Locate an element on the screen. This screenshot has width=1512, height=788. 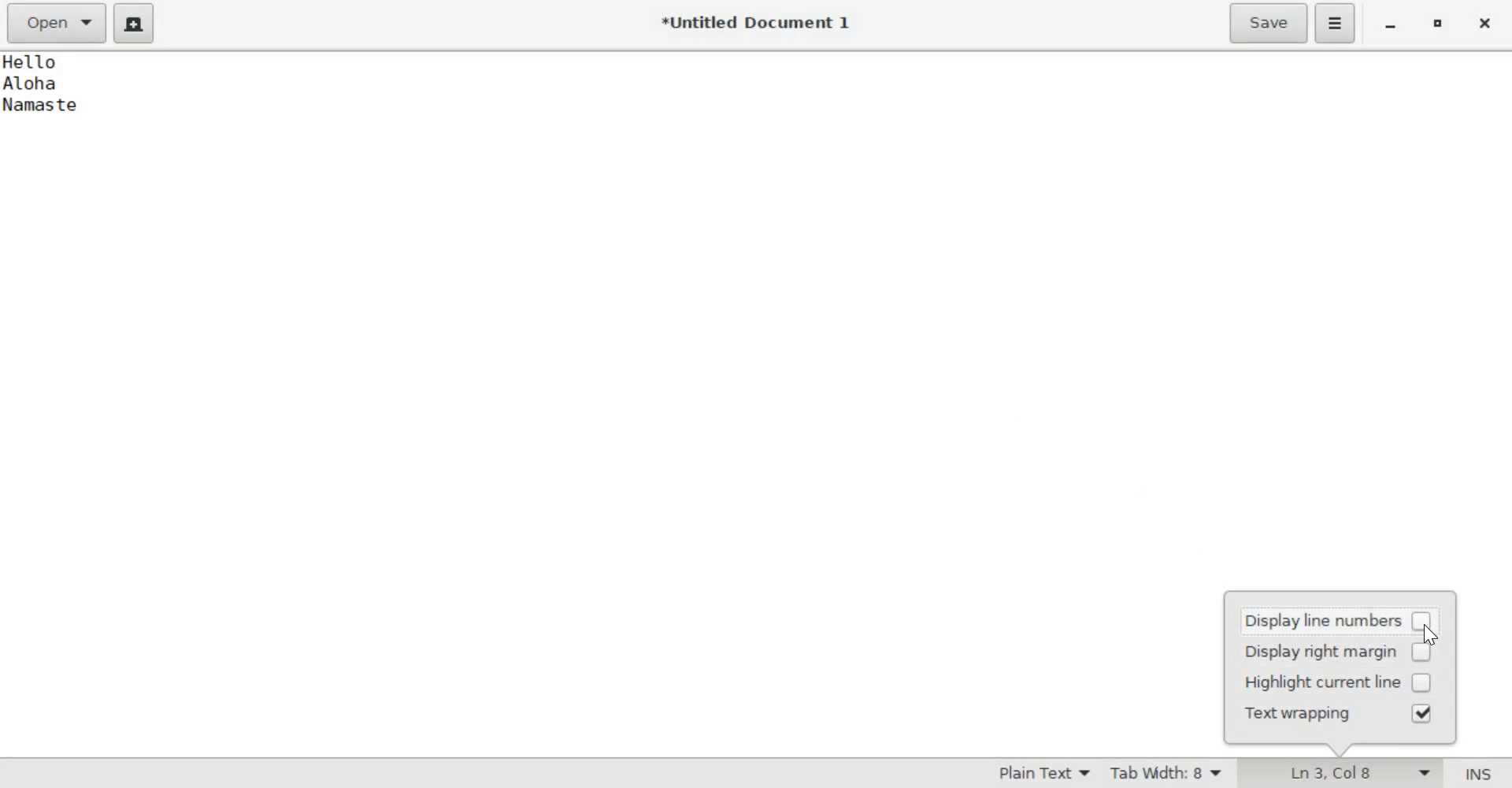
Unselected Checkbox is located at coordinates (1421, 653).